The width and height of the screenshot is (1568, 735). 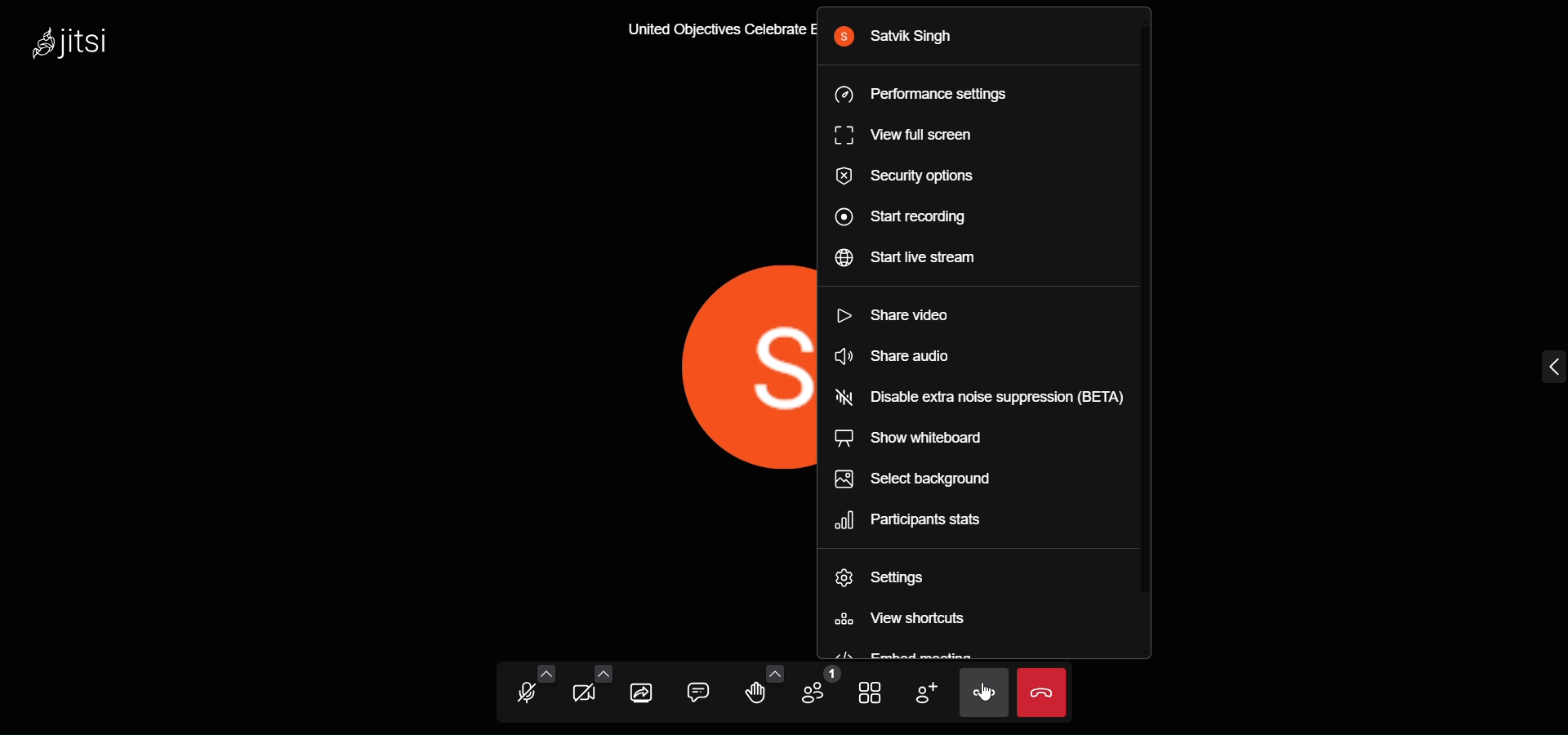 What do you see at coordinates (983, 693) in the screenshot?
I see `more` at bounding box center [983, 693].